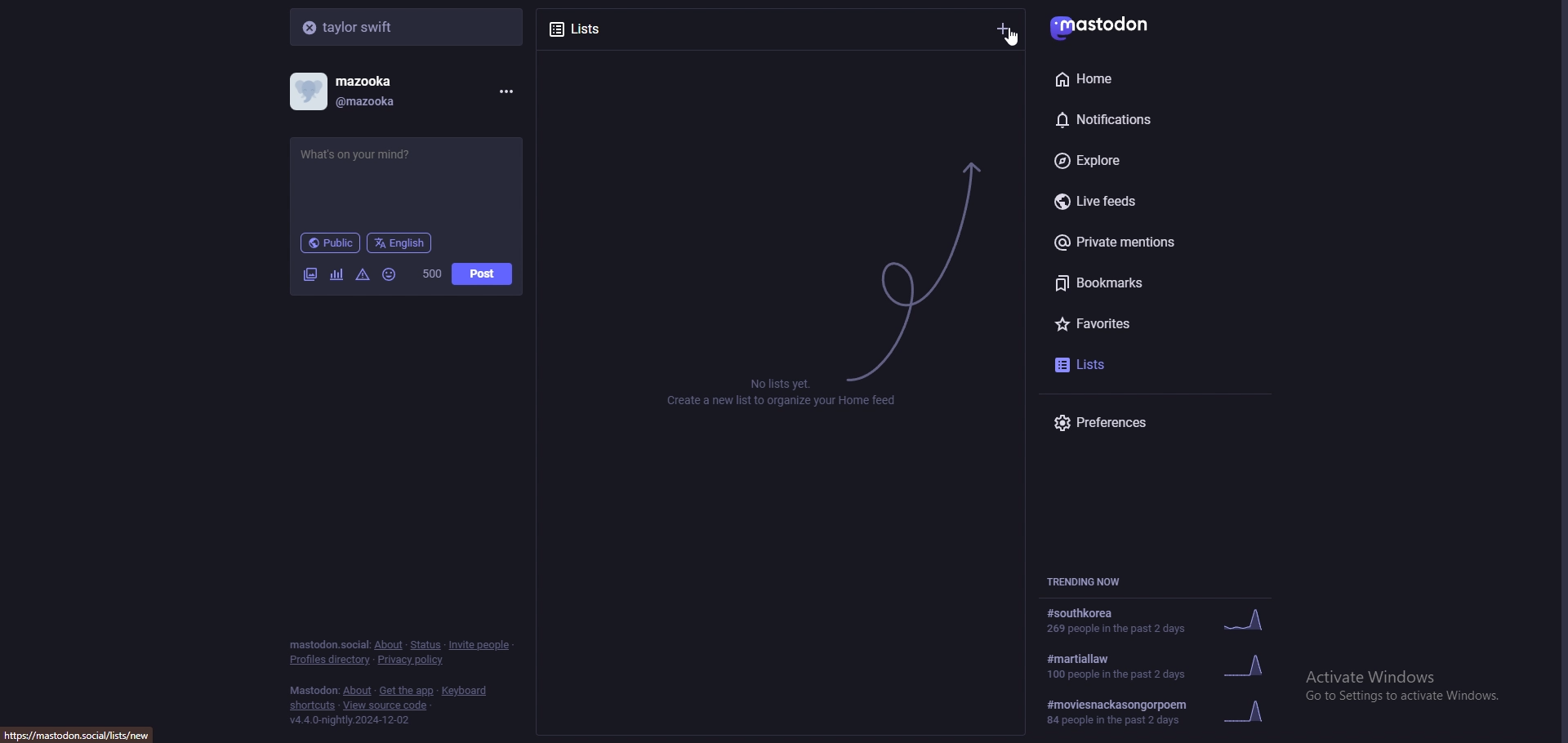  What do you see at coordinates (604, 27) in the screenshot?
I see `lists` at bounding box center [604, 27].